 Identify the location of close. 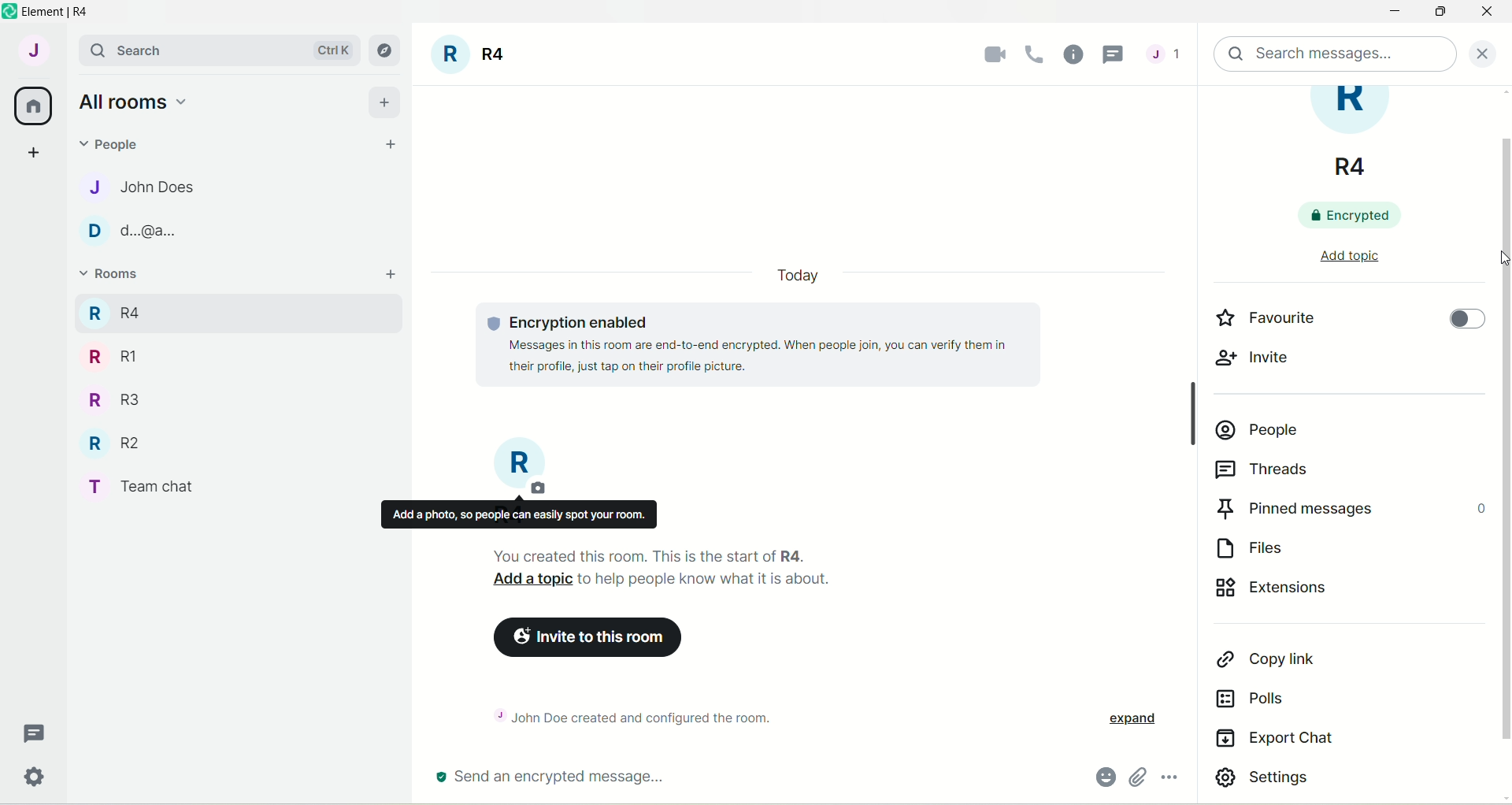
(1487, 15).